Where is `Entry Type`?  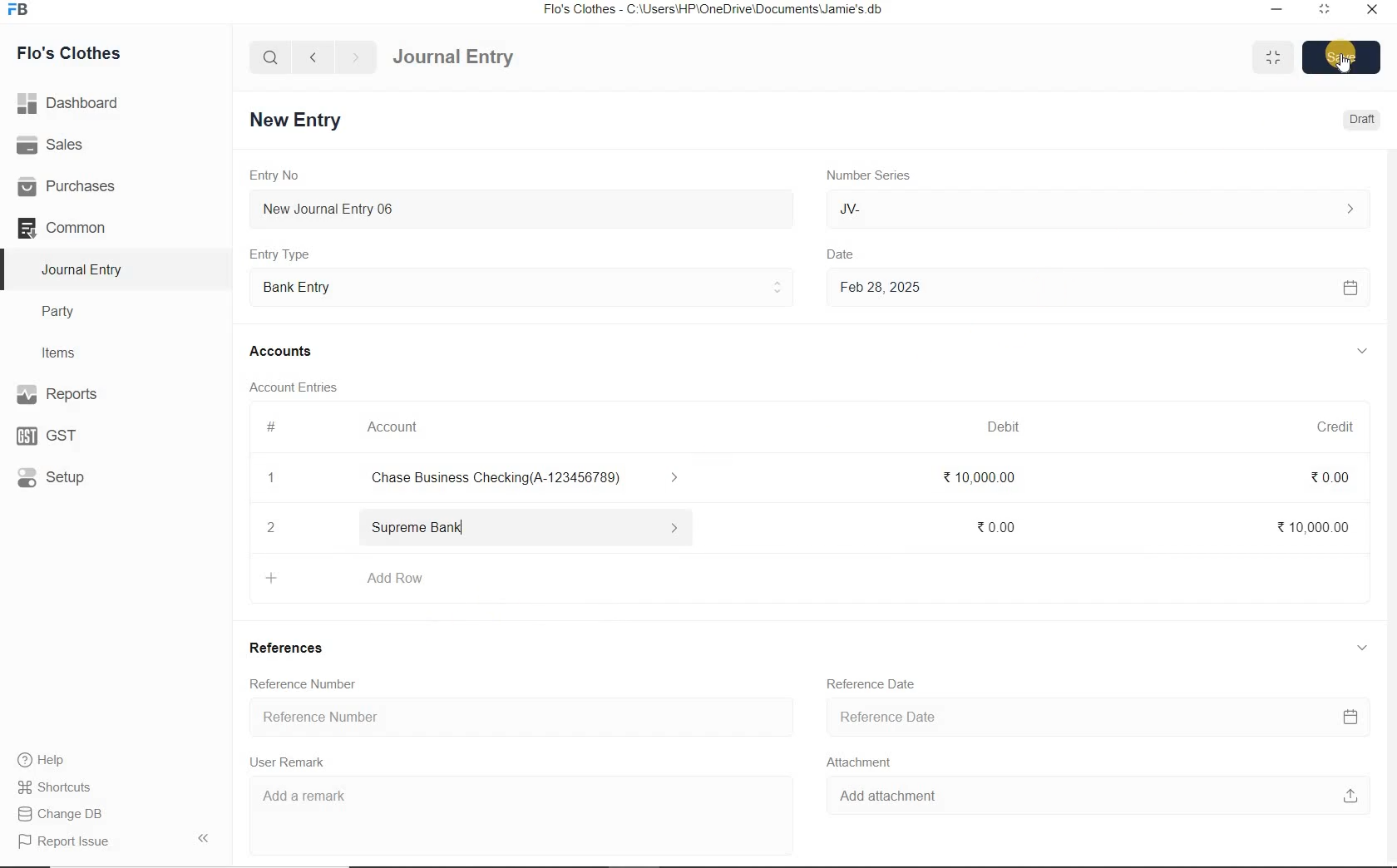 Entry Type is located at coordinates (285, 254).